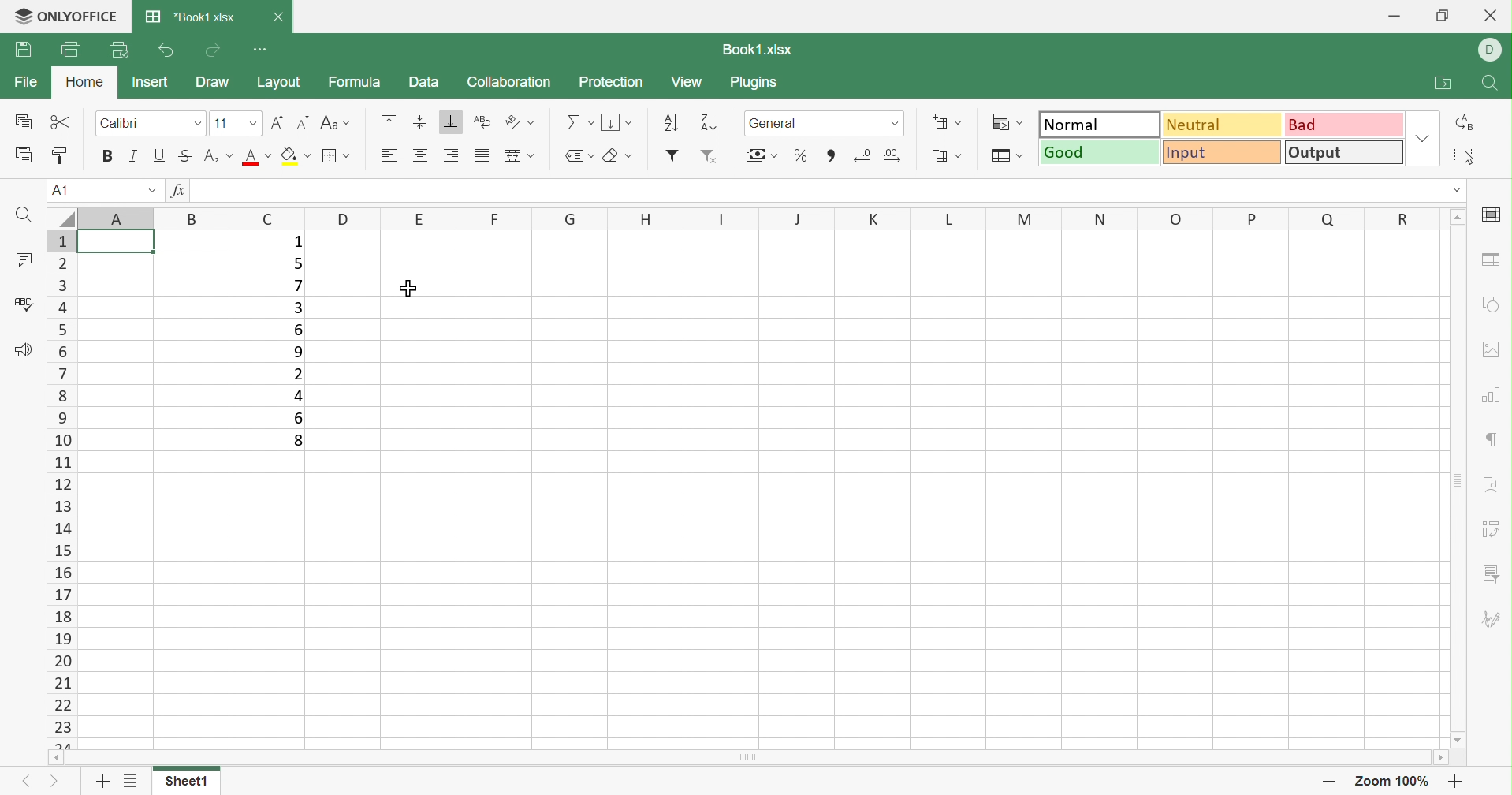 The width and height of the screenshot is (1512, 795). Describe the element at coordinates (263, 50) in the screenshot. I see `Customize Quick Access Toolbar` at that location.